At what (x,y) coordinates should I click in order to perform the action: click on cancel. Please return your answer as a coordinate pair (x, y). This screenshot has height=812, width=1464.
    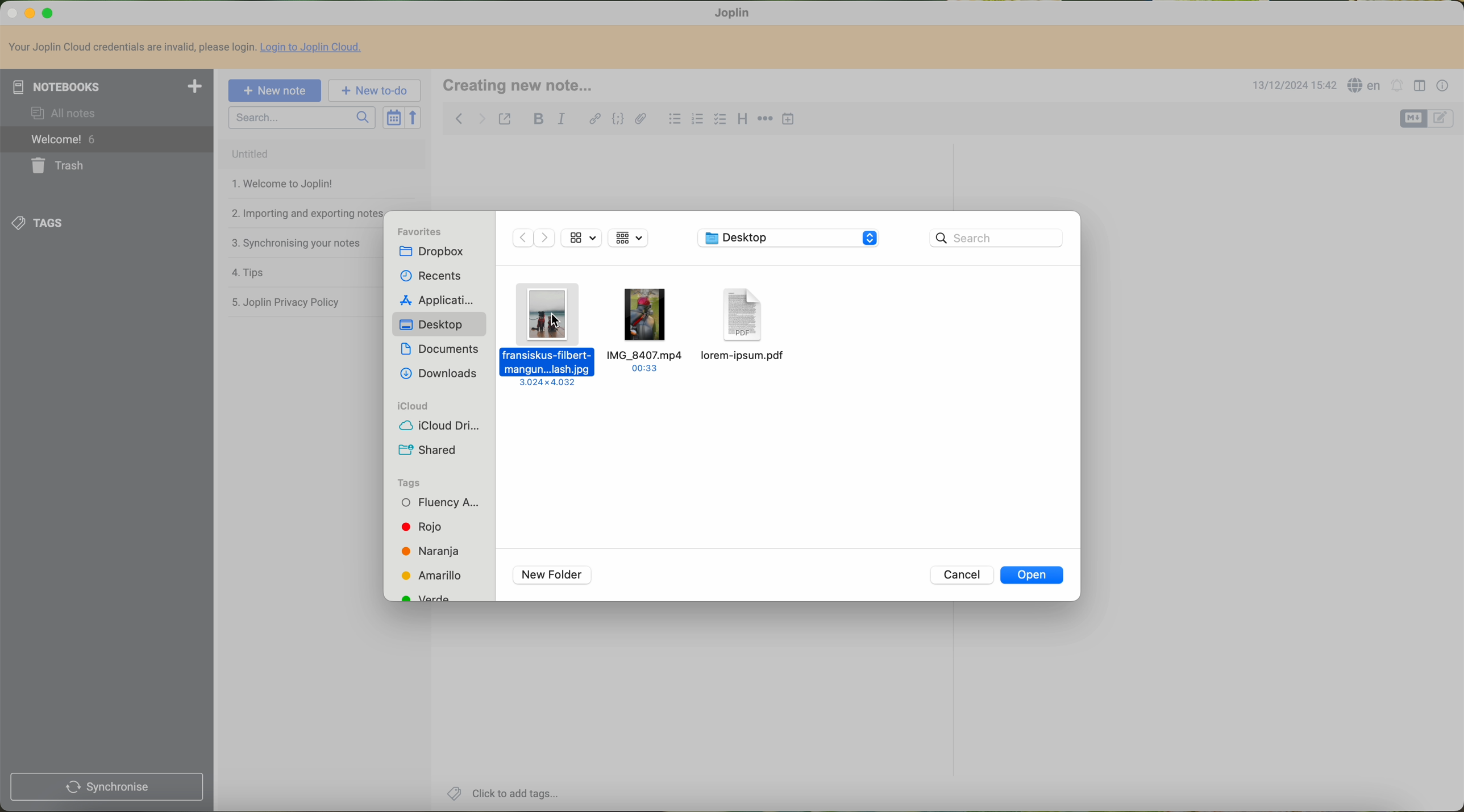
    Looking at the image, I should click on (962, 575).